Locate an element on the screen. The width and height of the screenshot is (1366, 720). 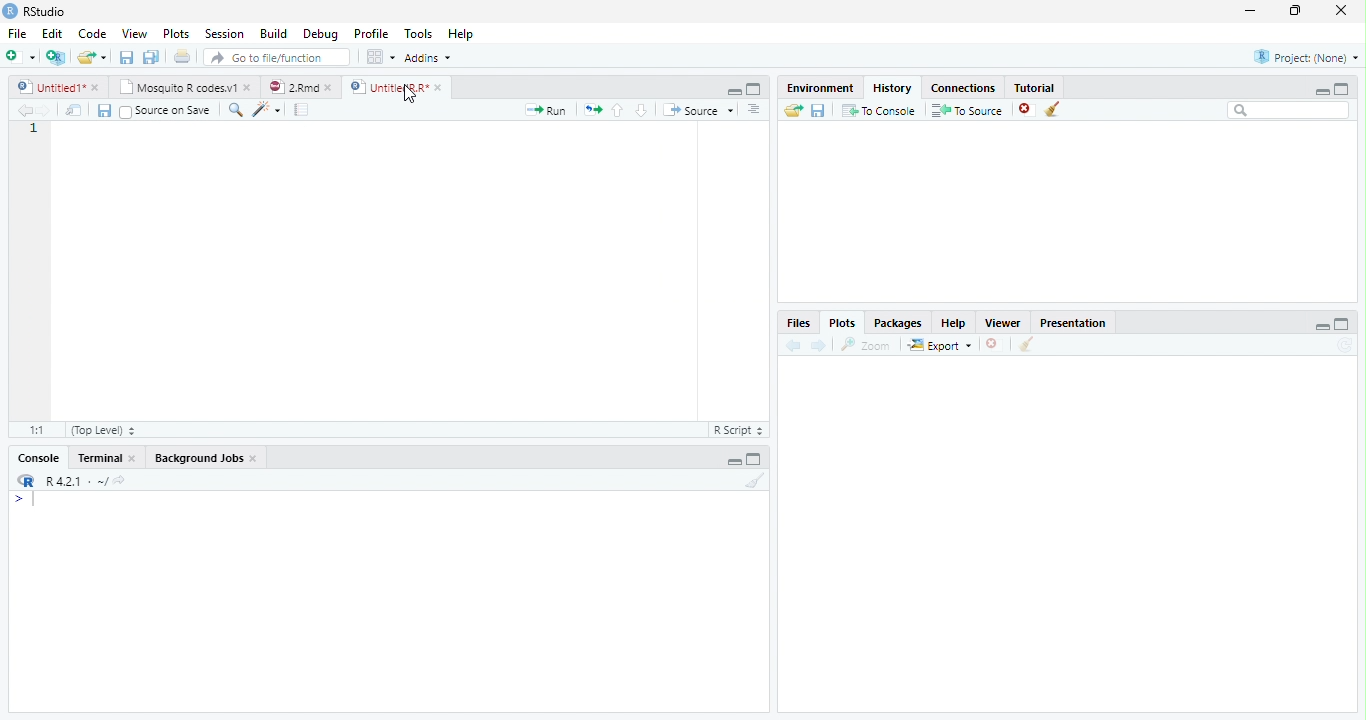
restore is located at coordinates (1295, 11).